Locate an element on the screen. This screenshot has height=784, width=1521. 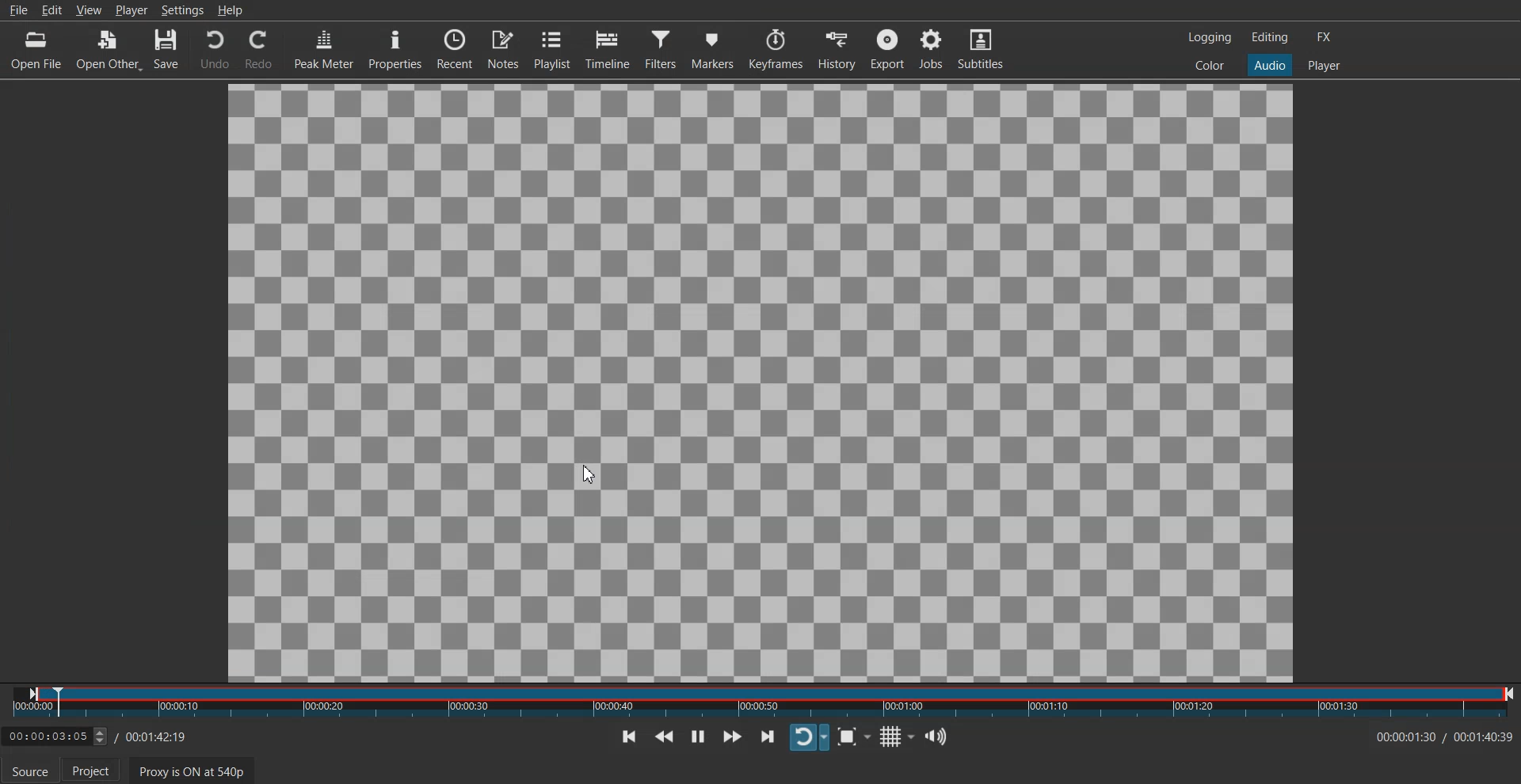
Redo is located at coordinates (259, 49).